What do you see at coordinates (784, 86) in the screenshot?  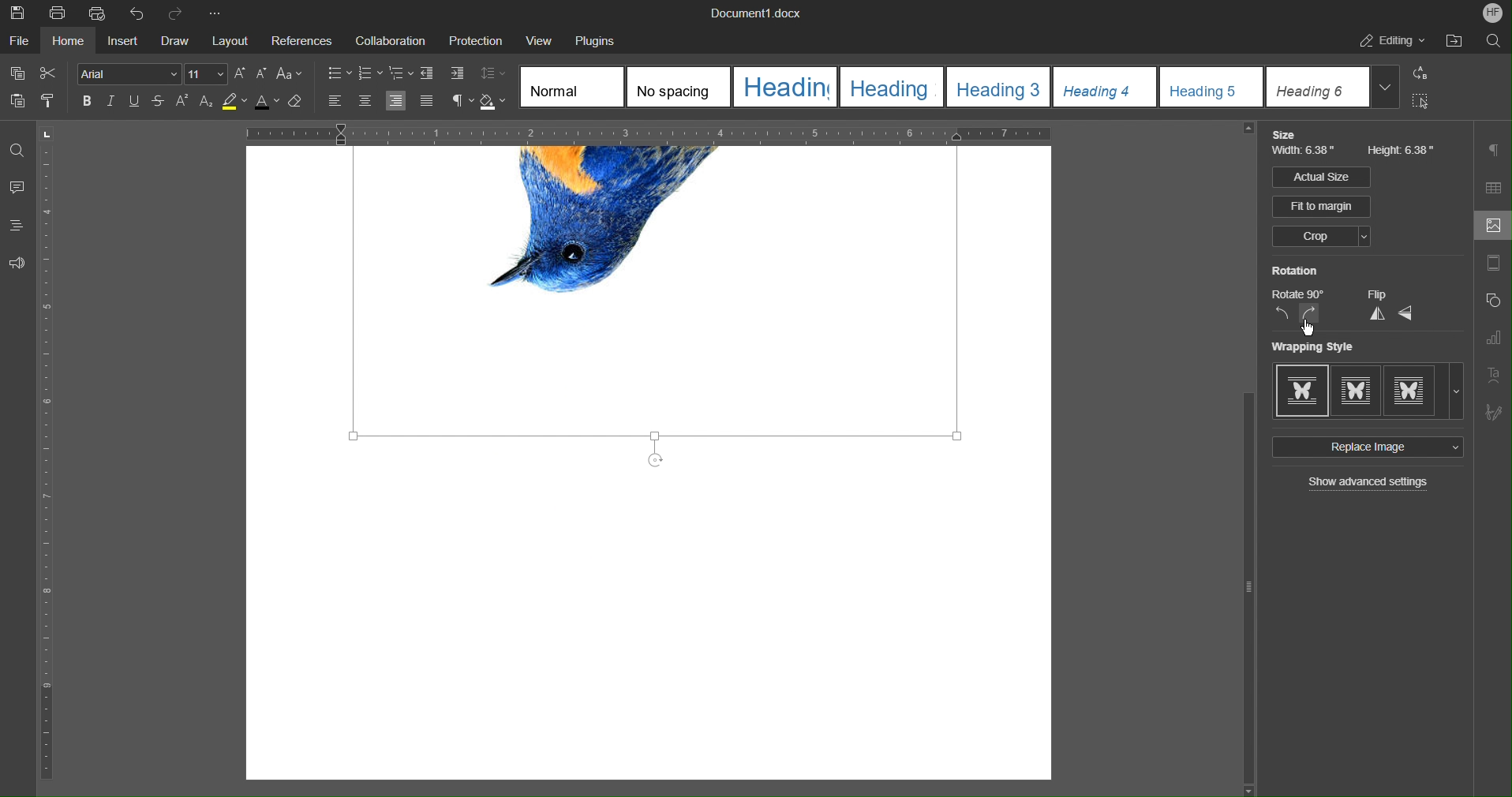 I see `Heading` at bounding box center [784, 86].